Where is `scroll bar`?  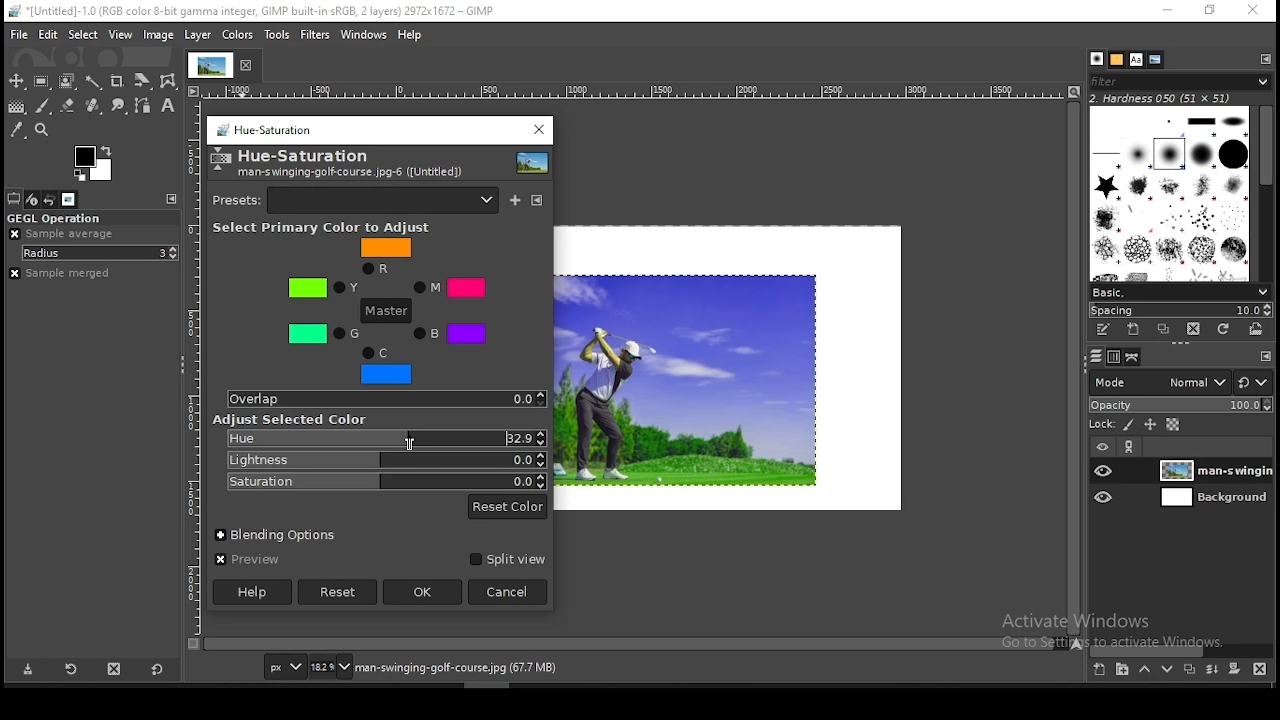
scroll bar is located at coordinates (1188, 651).